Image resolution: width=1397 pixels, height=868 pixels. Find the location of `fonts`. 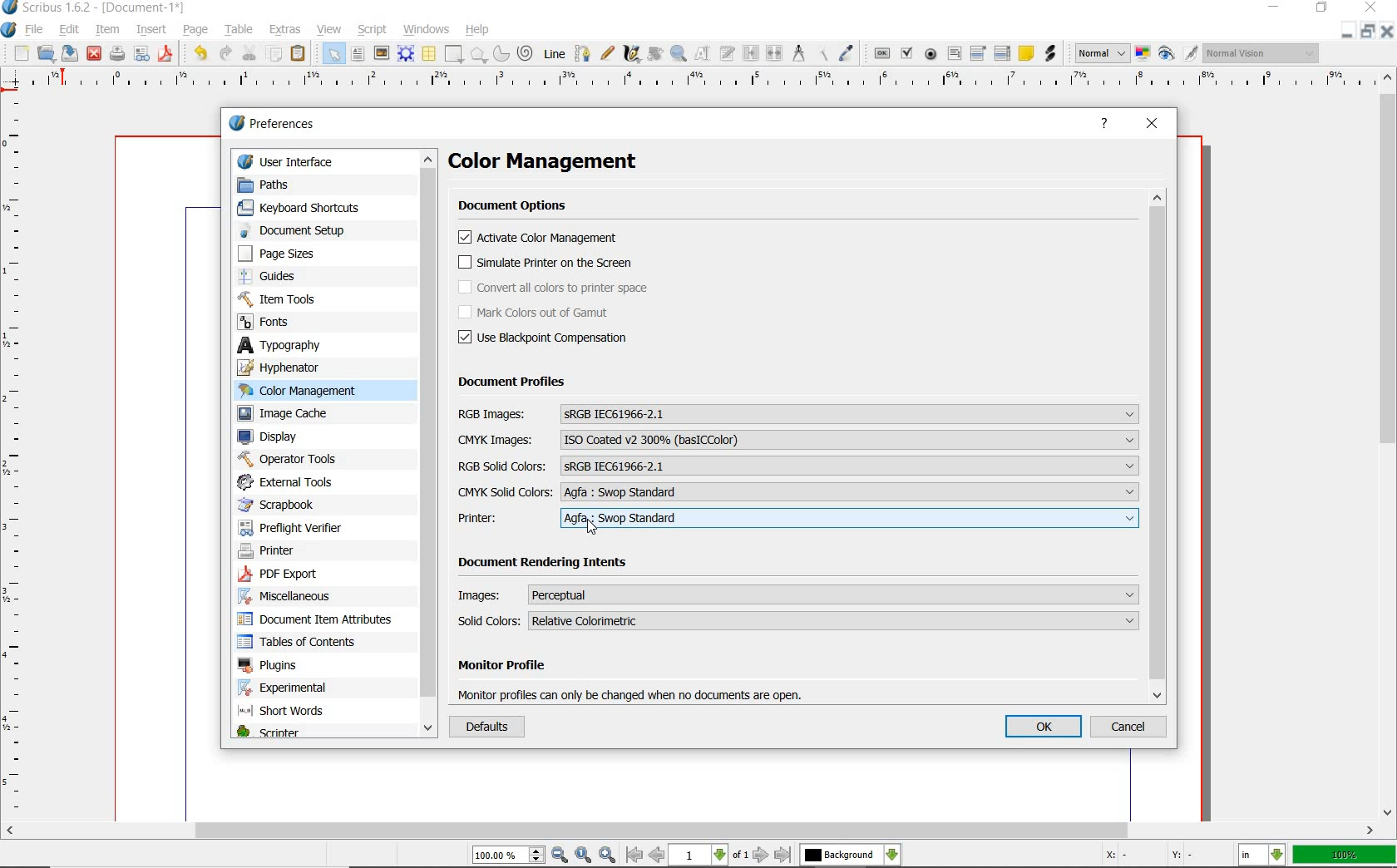

fonts is located at coordinates (295, 321).